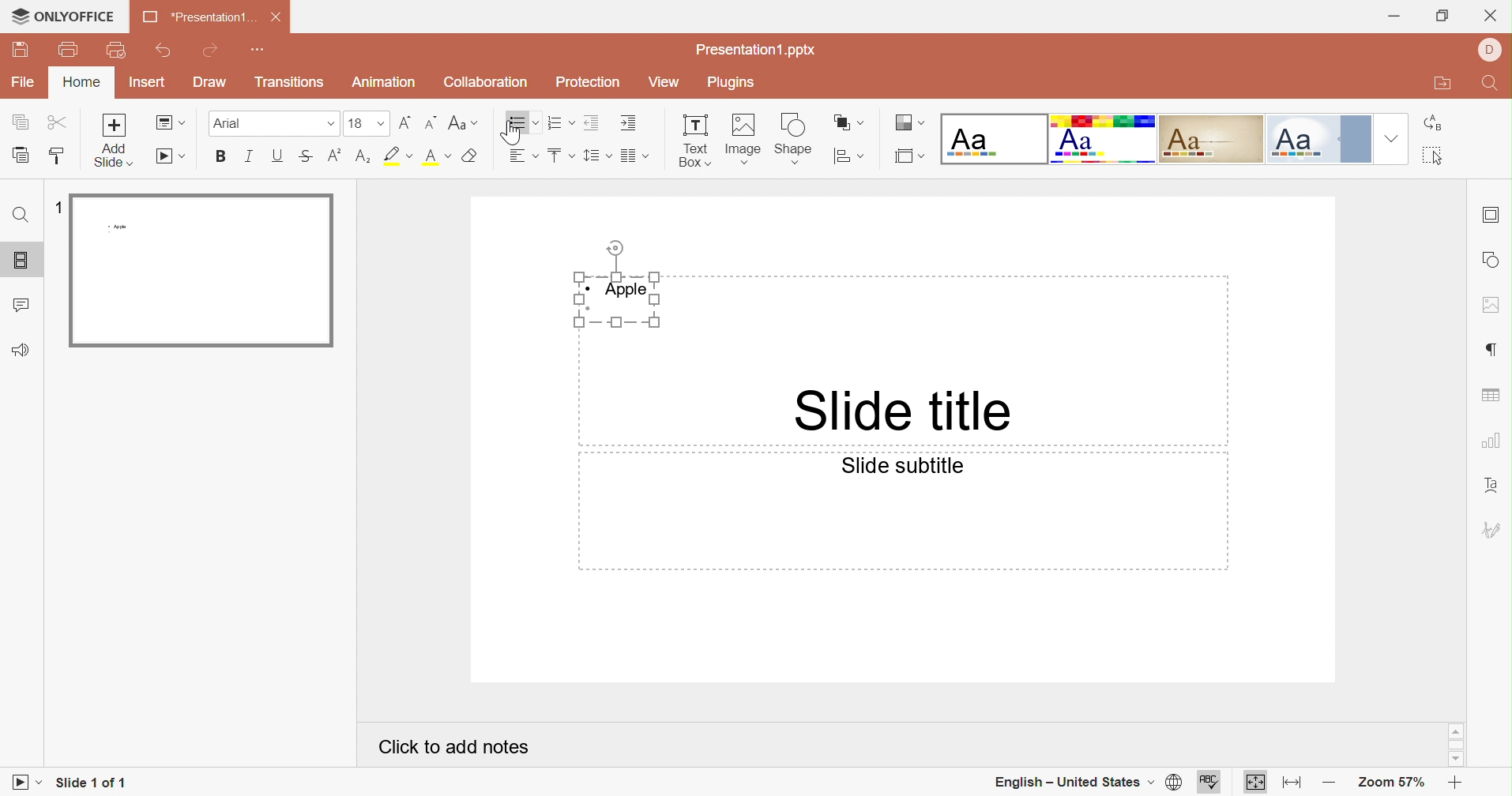  I want to click on Scroll Bar, so click(1460, 746).